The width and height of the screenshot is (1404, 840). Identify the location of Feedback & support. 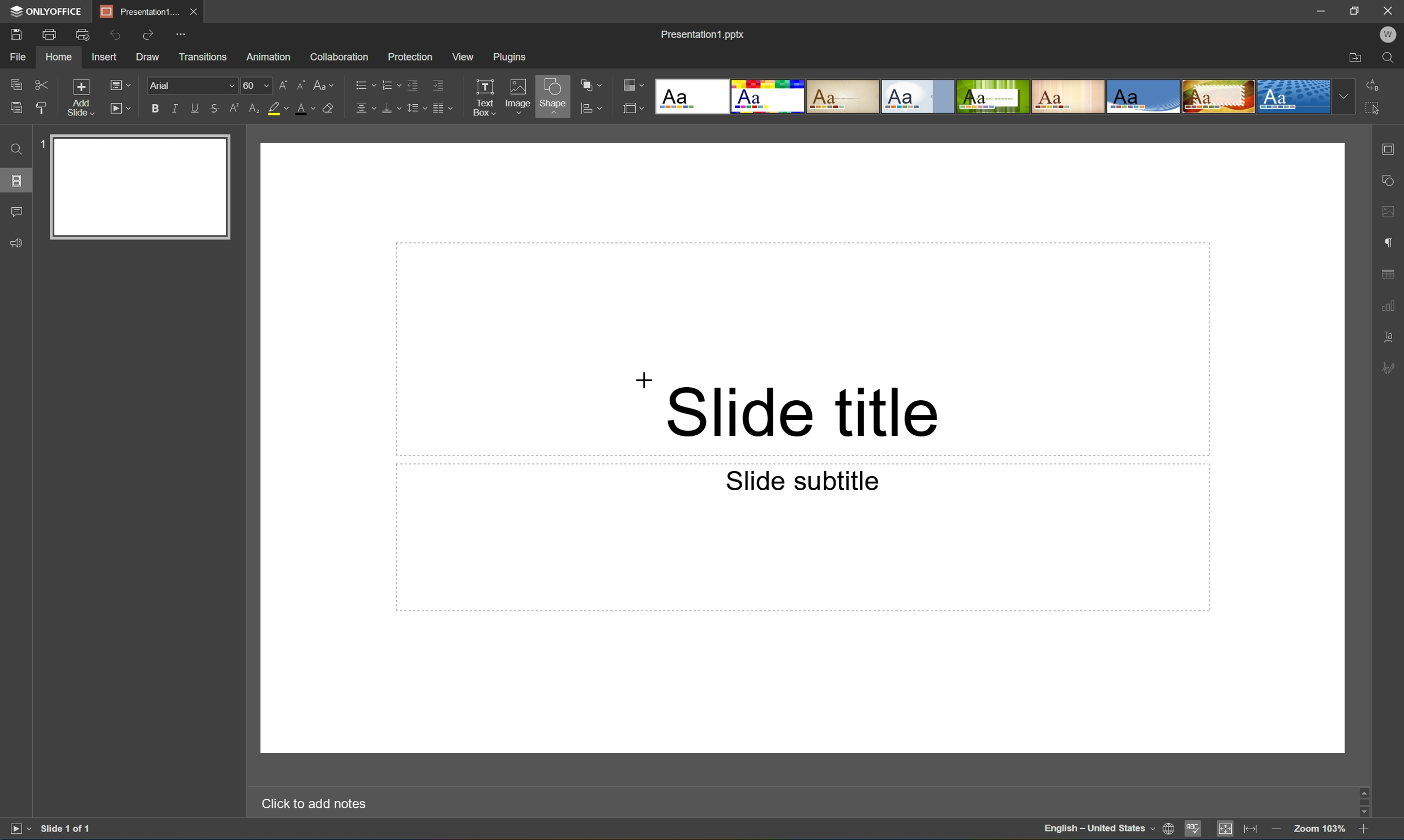
(19, 243).